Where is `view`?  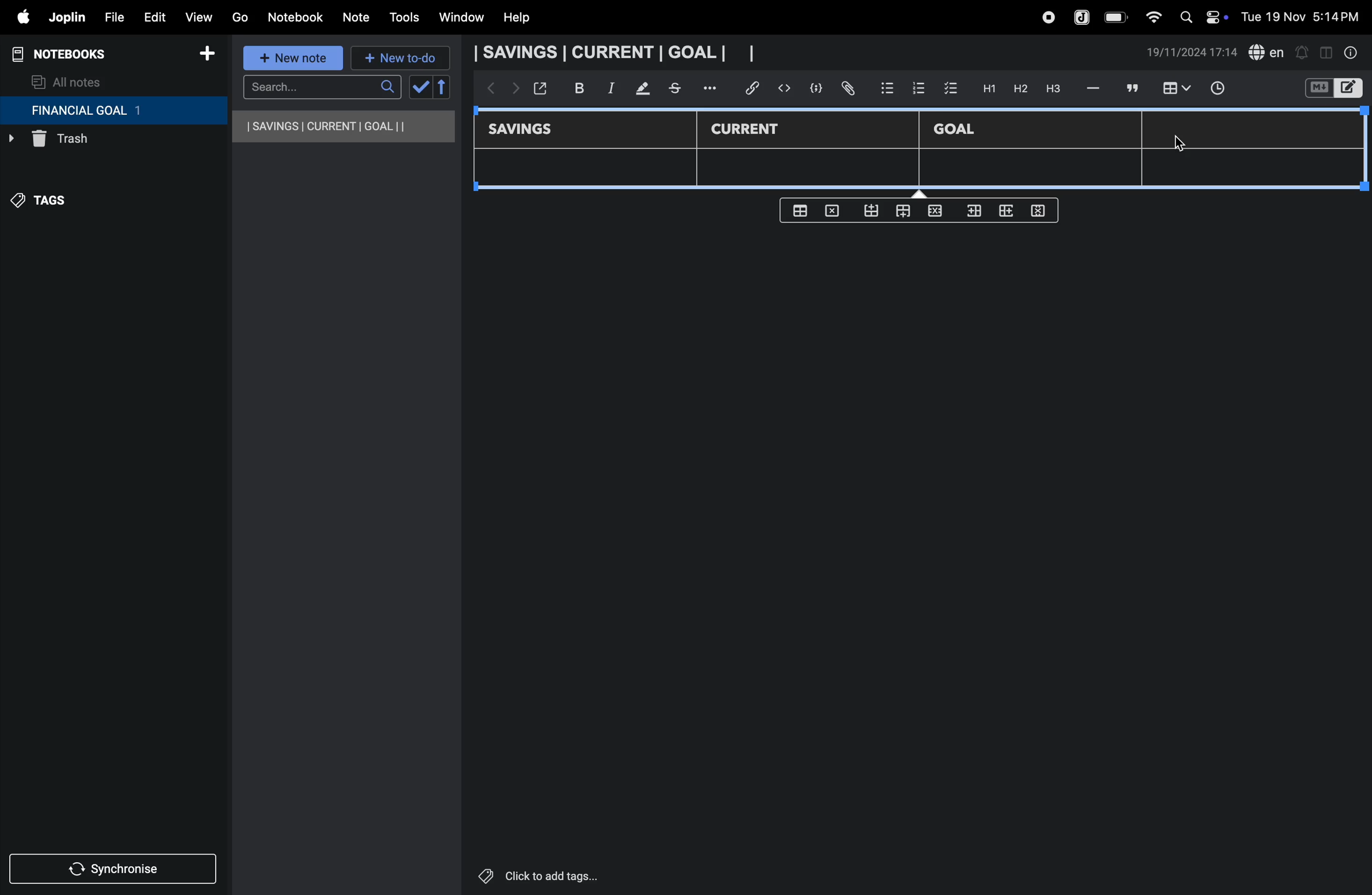
view is located at coordinates (198, 14).